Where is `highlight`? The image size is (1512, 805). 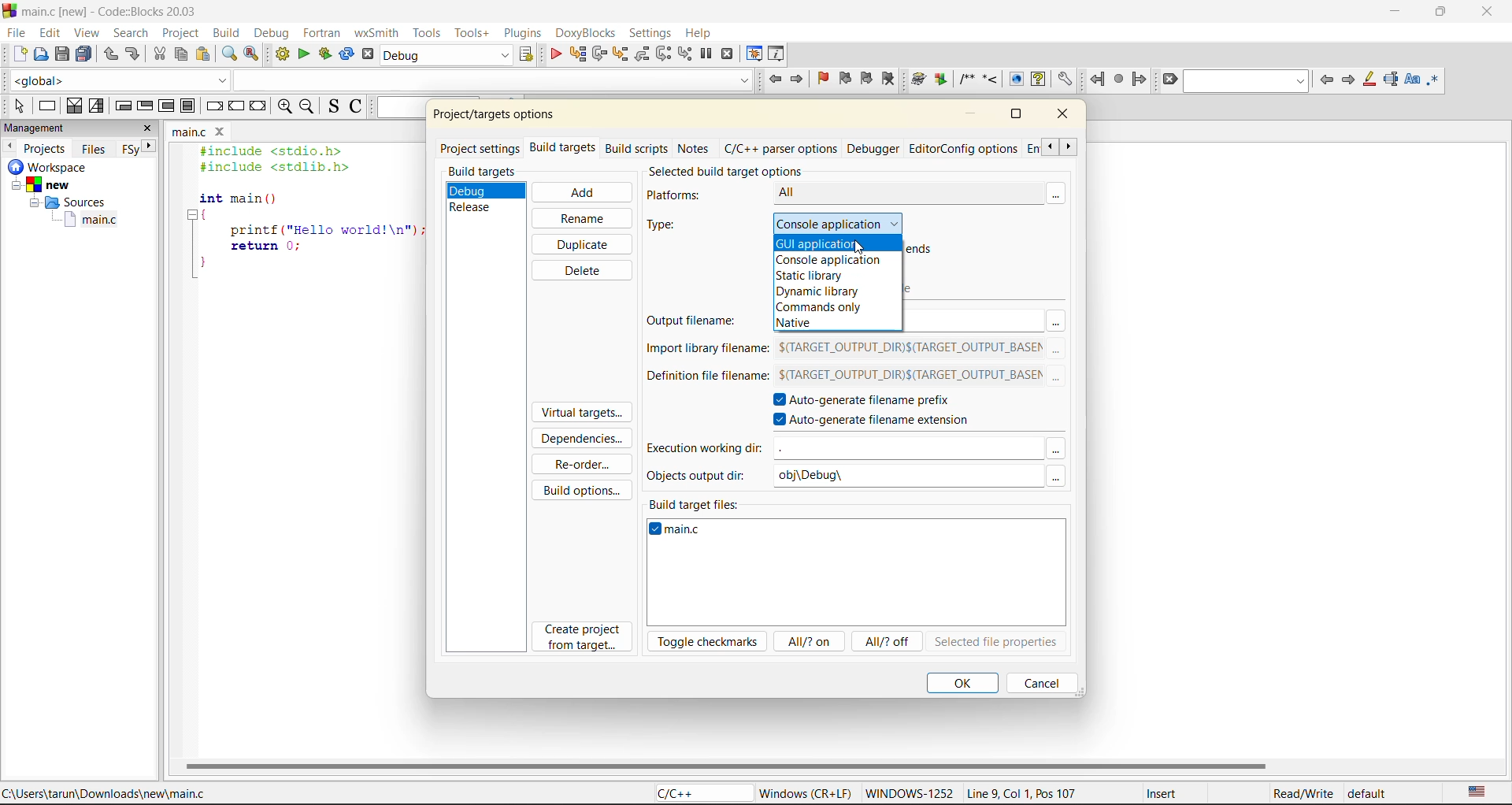
highlight is located at coordinates (1369, 80).